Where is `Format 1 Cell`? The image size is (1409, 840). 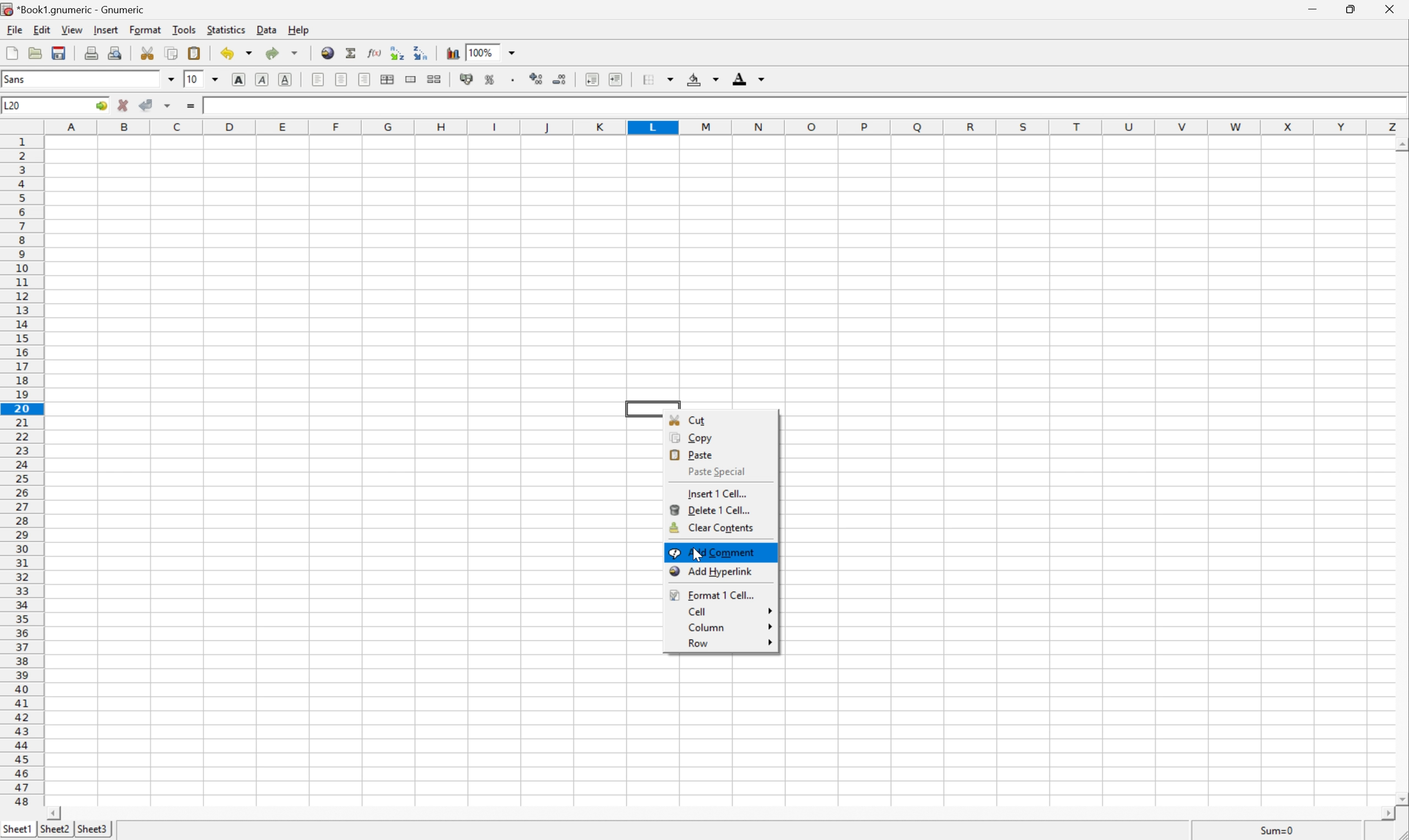
Format 1 Cell is located at coordinates (711, 594).